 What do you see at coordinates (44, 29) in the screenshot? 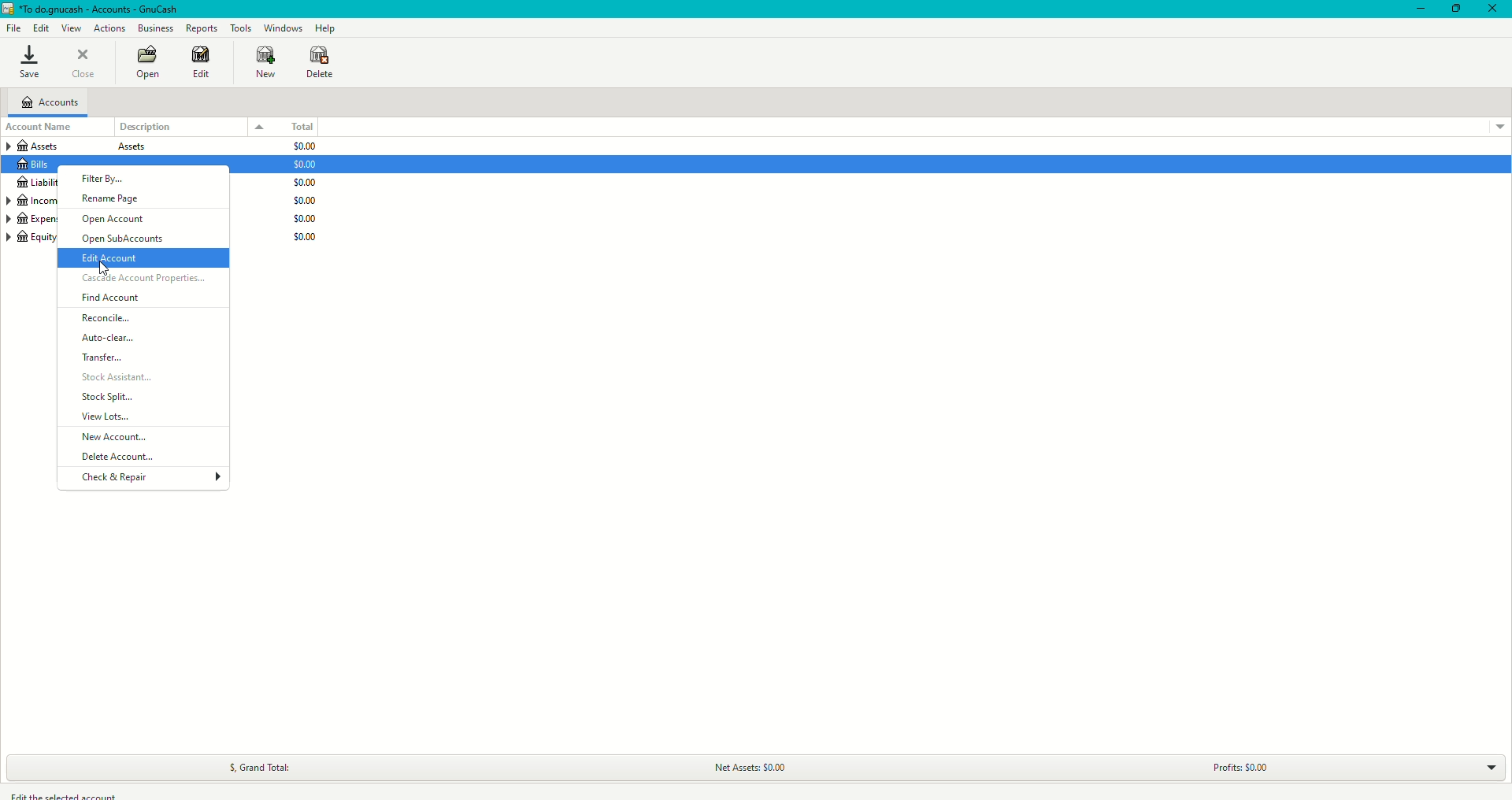
I see `Edit` at bounding box center [44, 29].